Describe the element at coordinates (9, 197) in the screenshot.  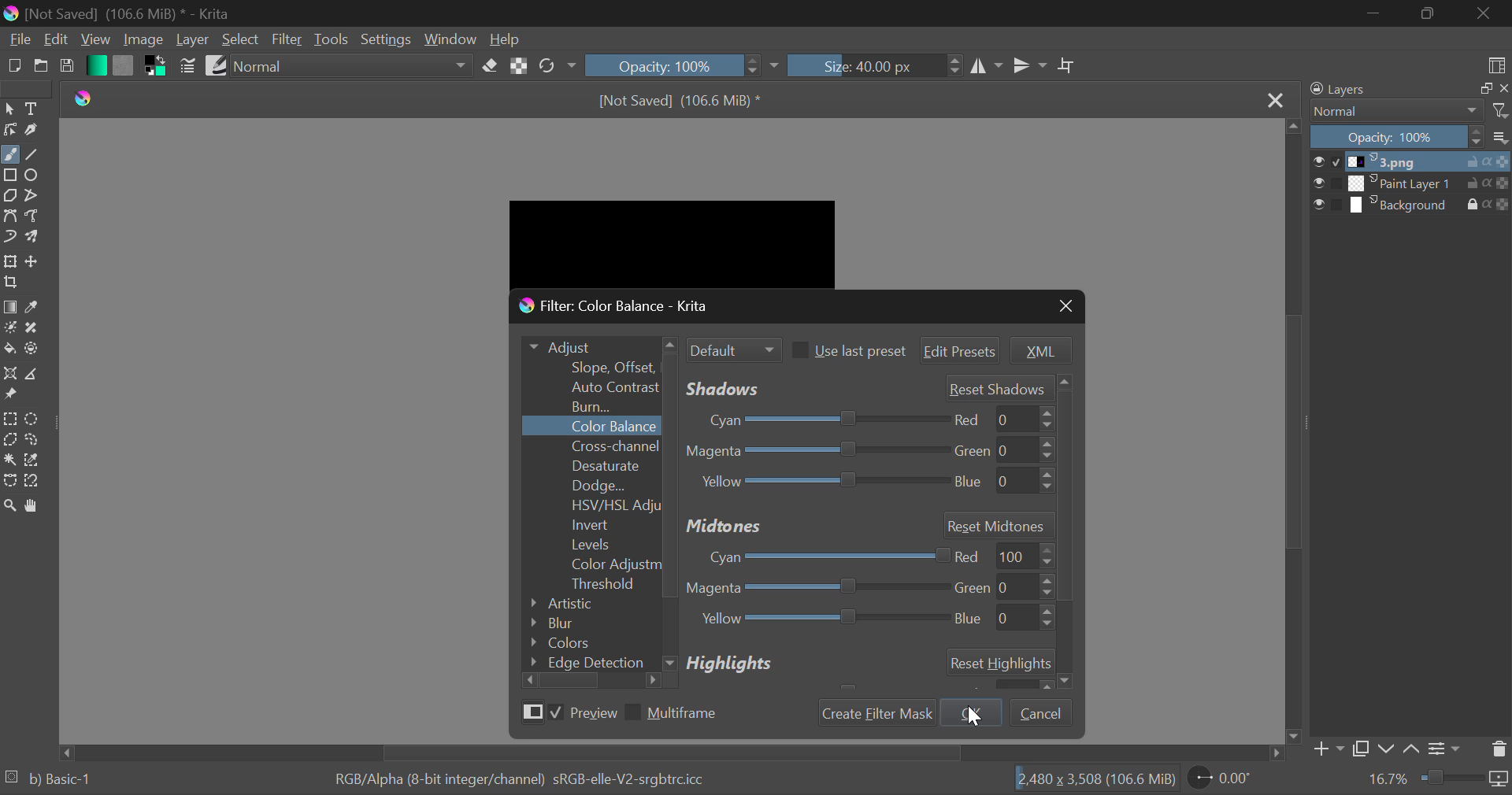
I see `Polygons` at that location.